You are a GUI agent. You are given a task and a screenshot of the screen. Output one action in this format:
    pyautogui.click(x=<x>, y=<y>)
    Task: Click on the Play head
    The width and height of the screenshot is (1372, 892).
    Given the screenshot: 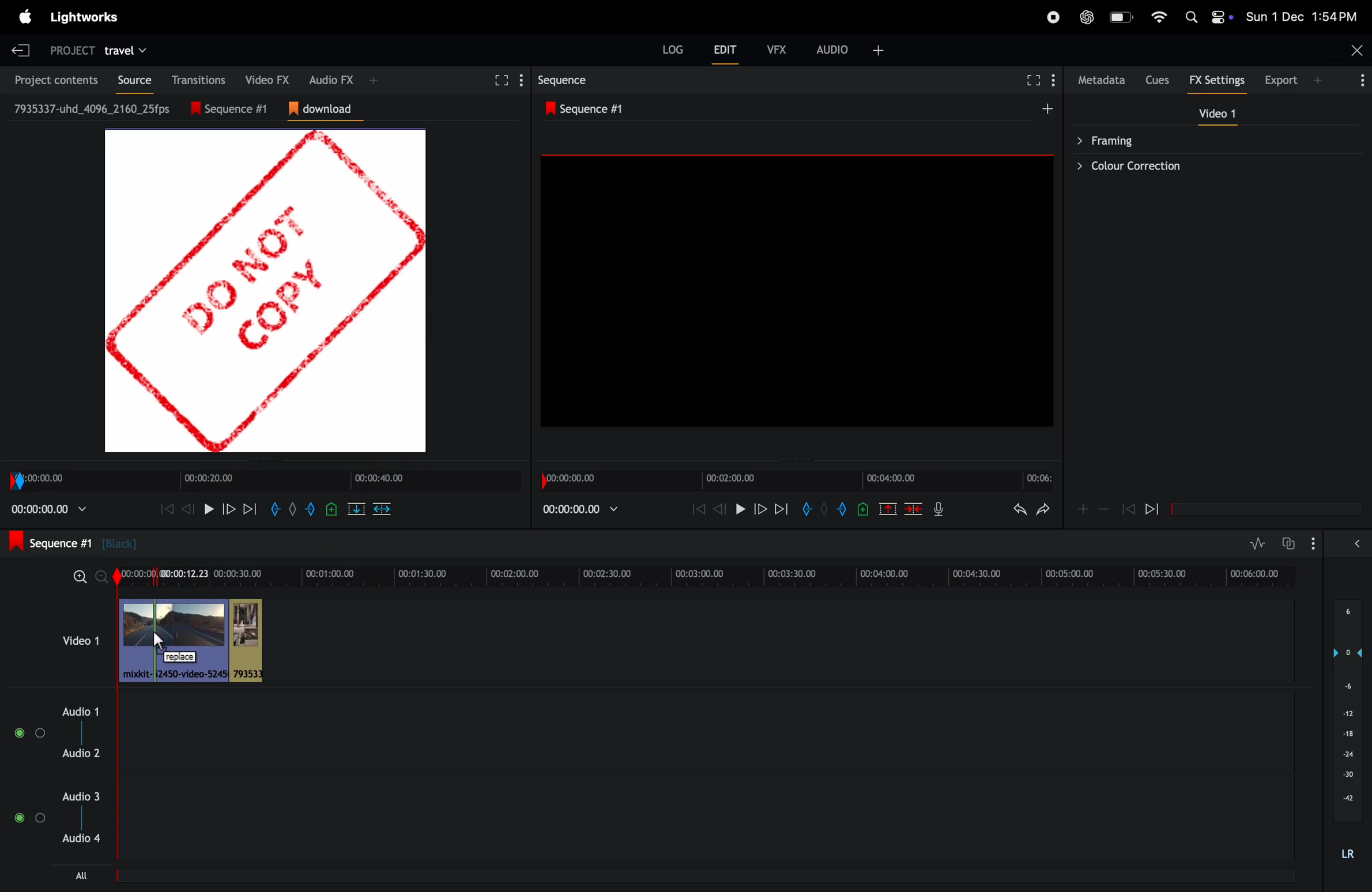 What is the action you would take?
    pyautogui.click(x=117, y=712)
    